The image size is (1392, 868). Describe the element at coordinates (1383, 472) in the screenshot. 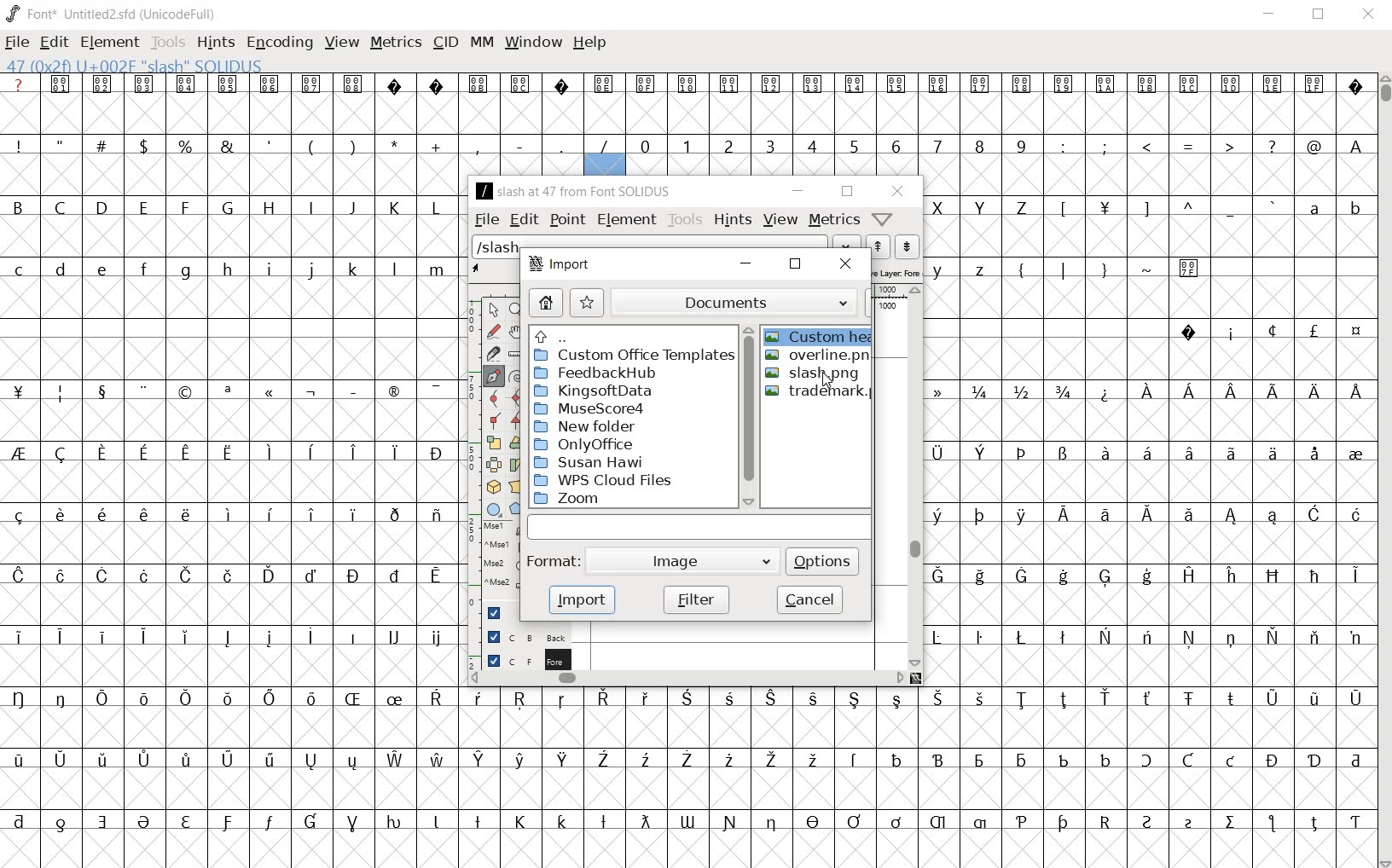

I see `CURSOR` at that location.